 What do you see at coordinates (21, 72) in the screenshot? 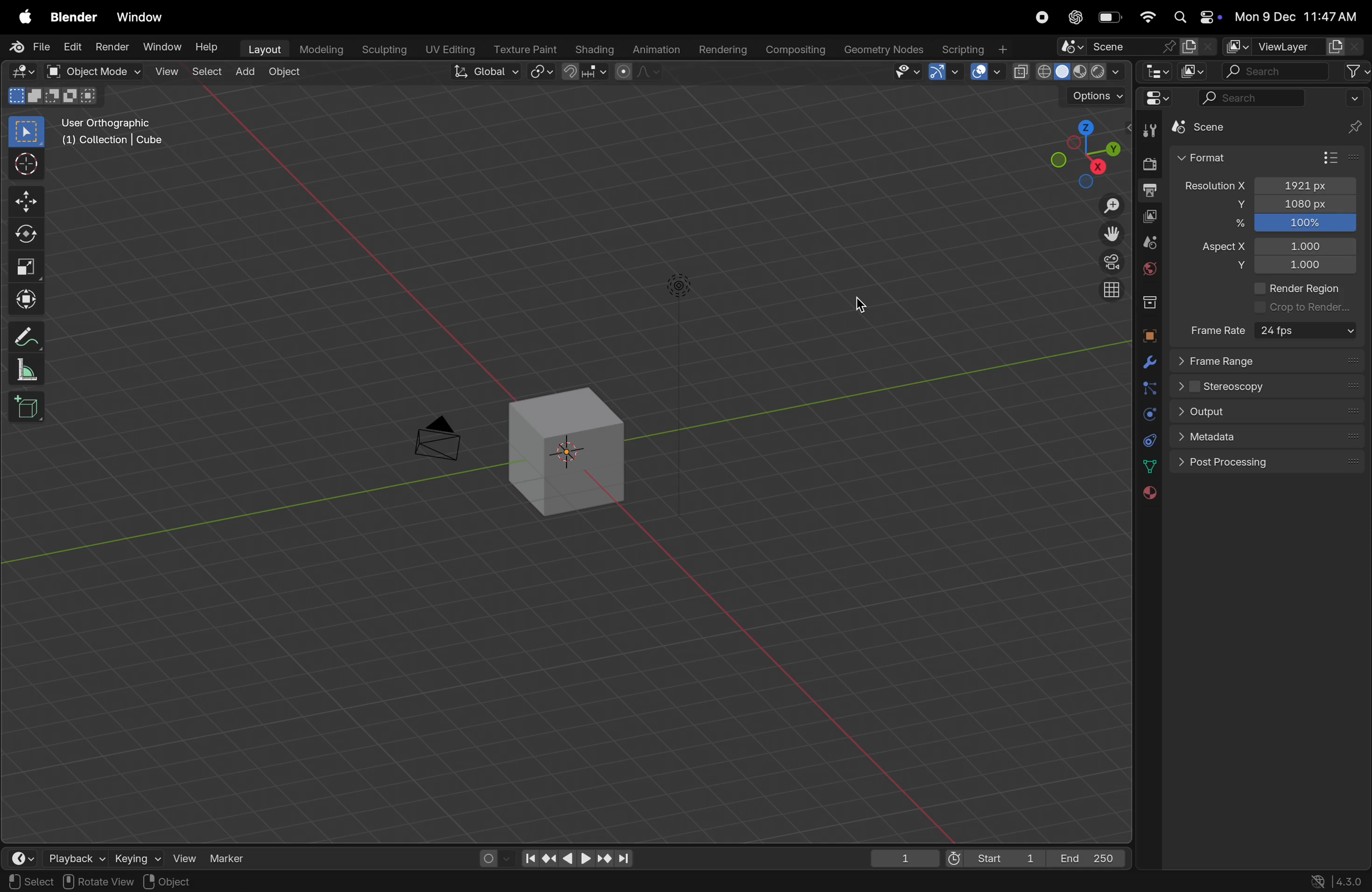
I see `editor type` at bounding box center [21, 72].